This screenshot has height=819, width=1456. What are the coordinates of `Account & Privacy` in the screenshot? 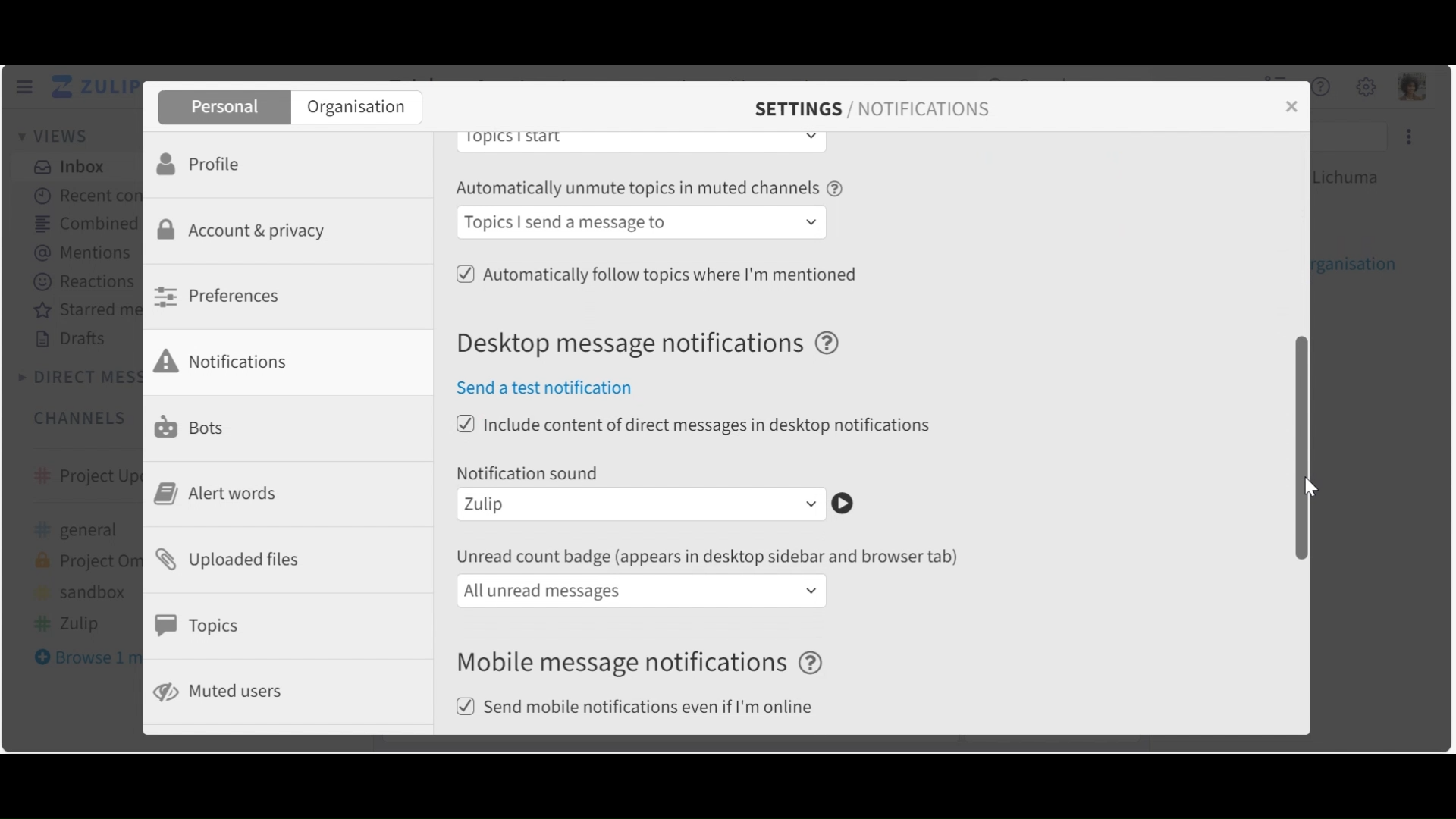 It's located at (246, 232).